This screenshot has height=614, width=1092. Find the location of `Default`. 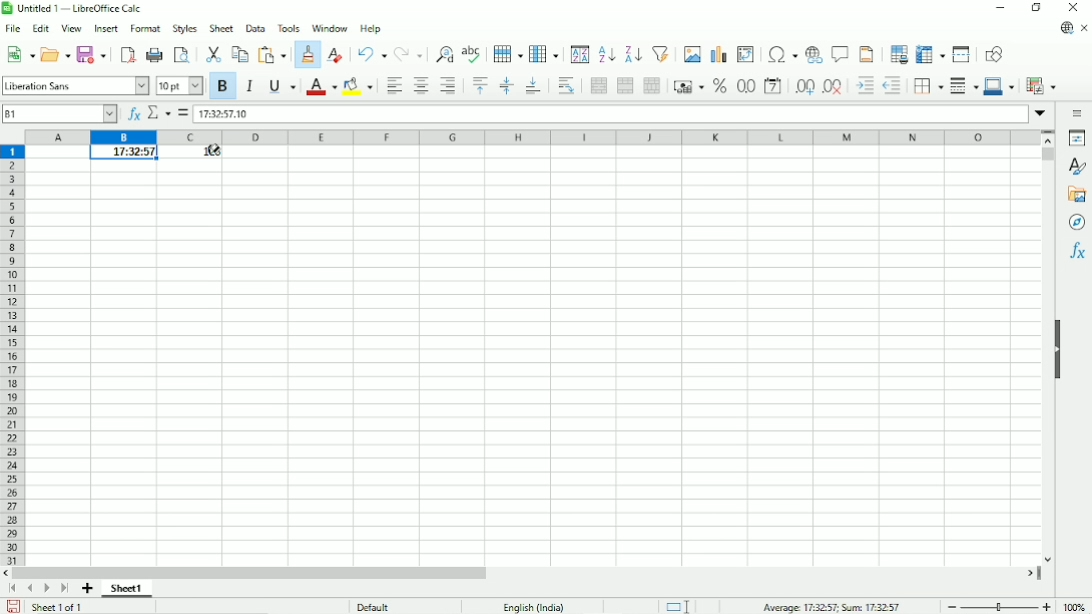

Default is located at coordinates (371, 605).